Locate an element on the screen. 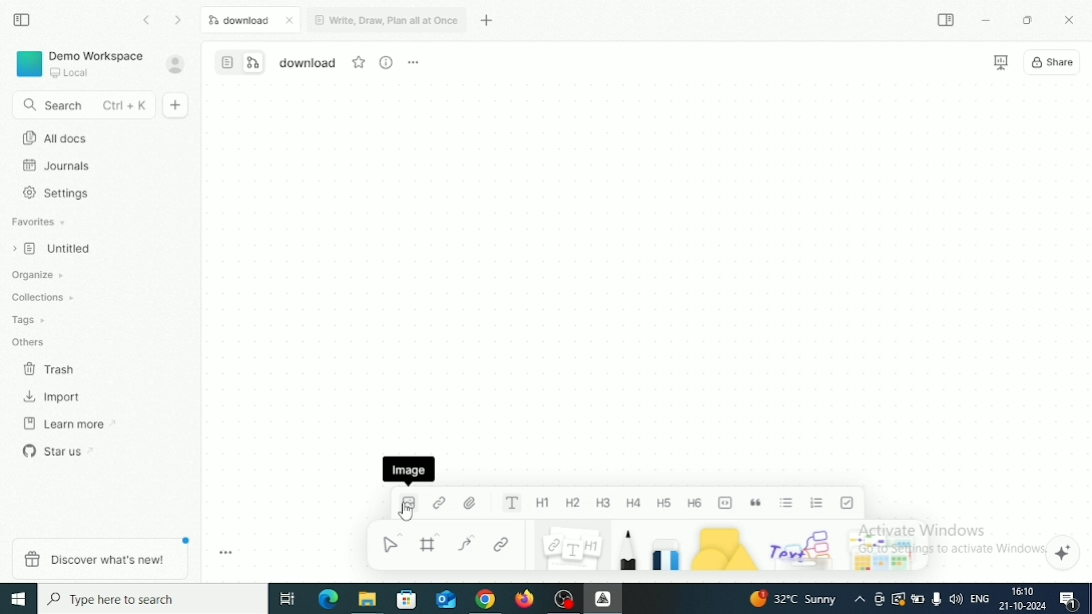 Image resolution: width=1092 pixels, height=614 pixels. Share is located at coordinates (1052, 62).